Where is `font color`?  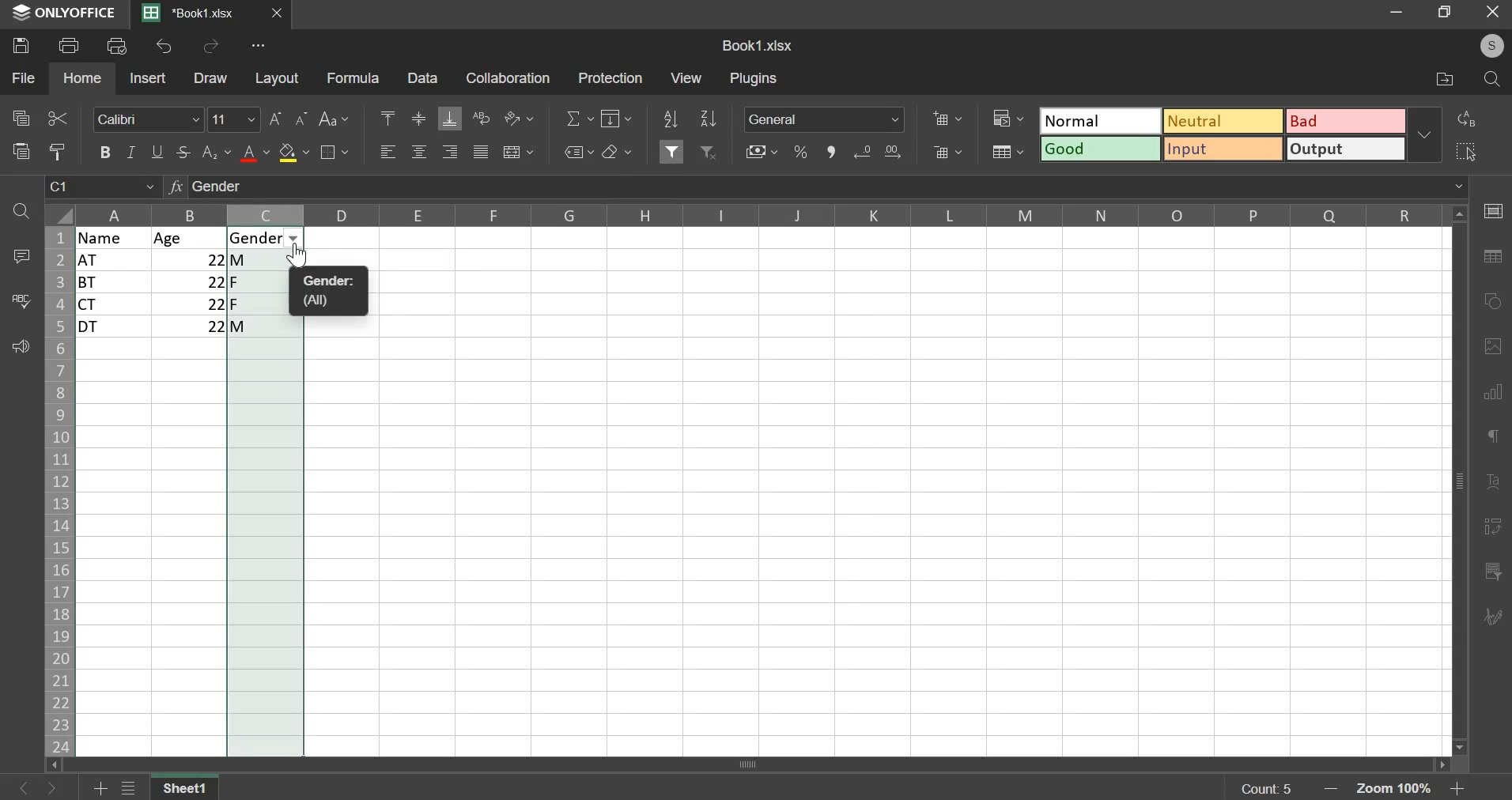 font color is located at coordinates (255, 153).